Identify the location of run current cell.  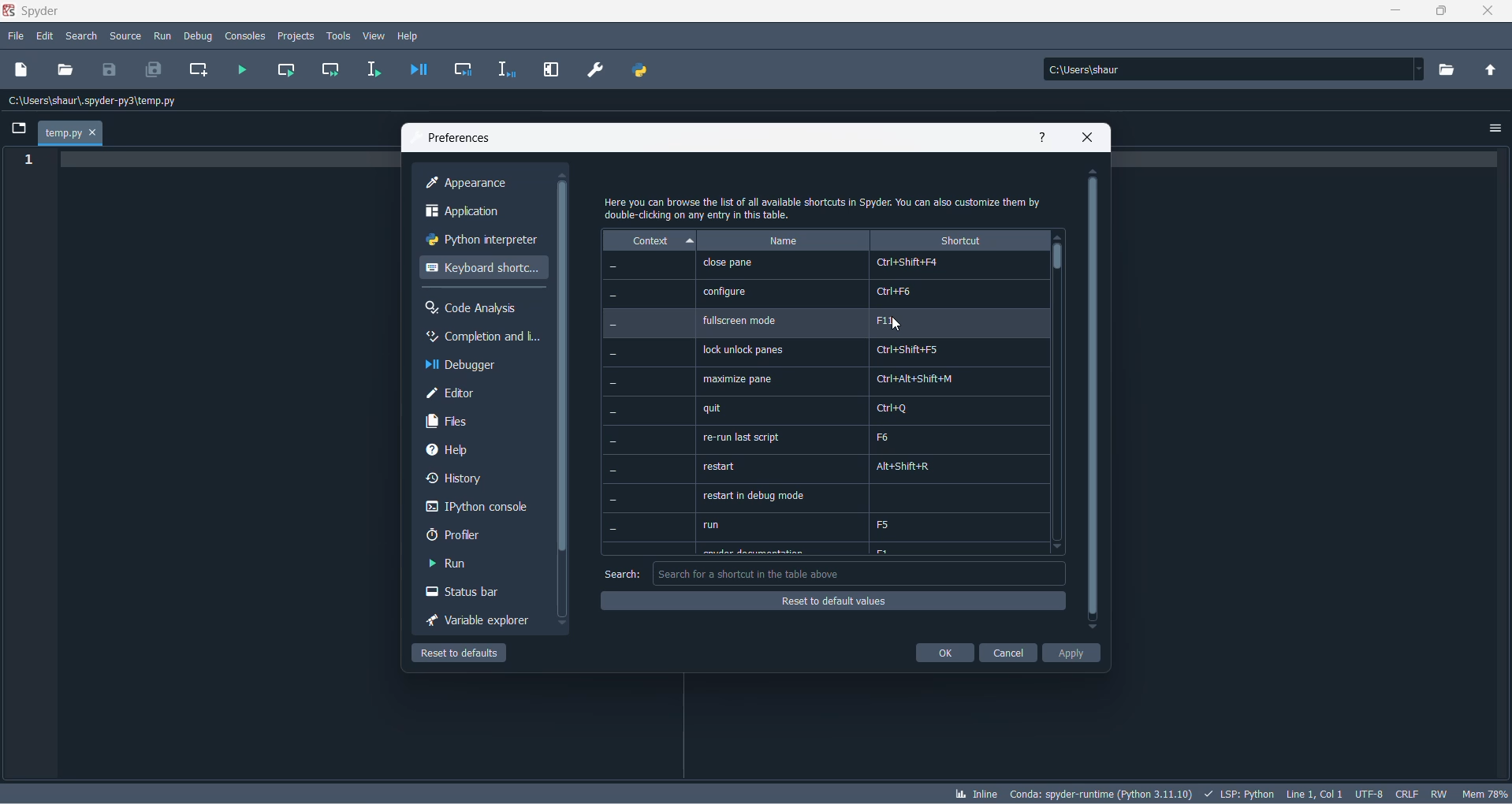
(283, 71).